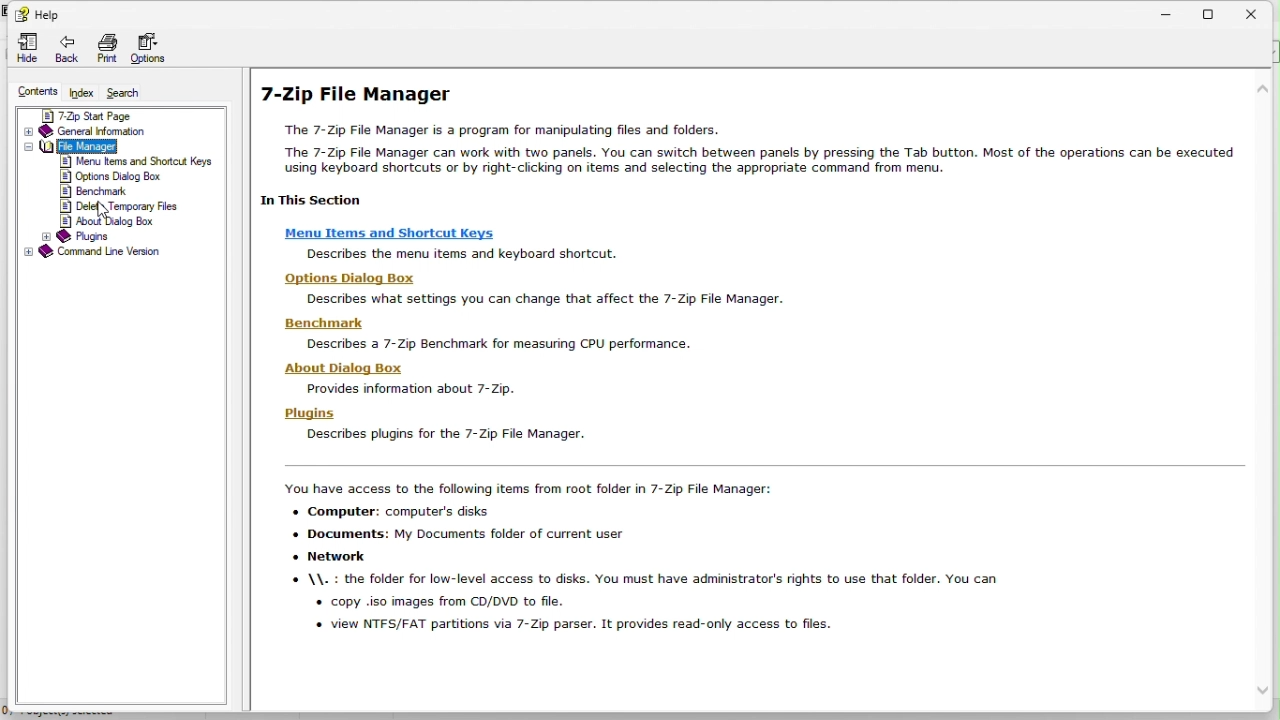 Image resolution: width=1280 pixels, height=720 pixels. Describe the element at coordinates (1218, 11) in the screenshot. I see `restore` at that location.